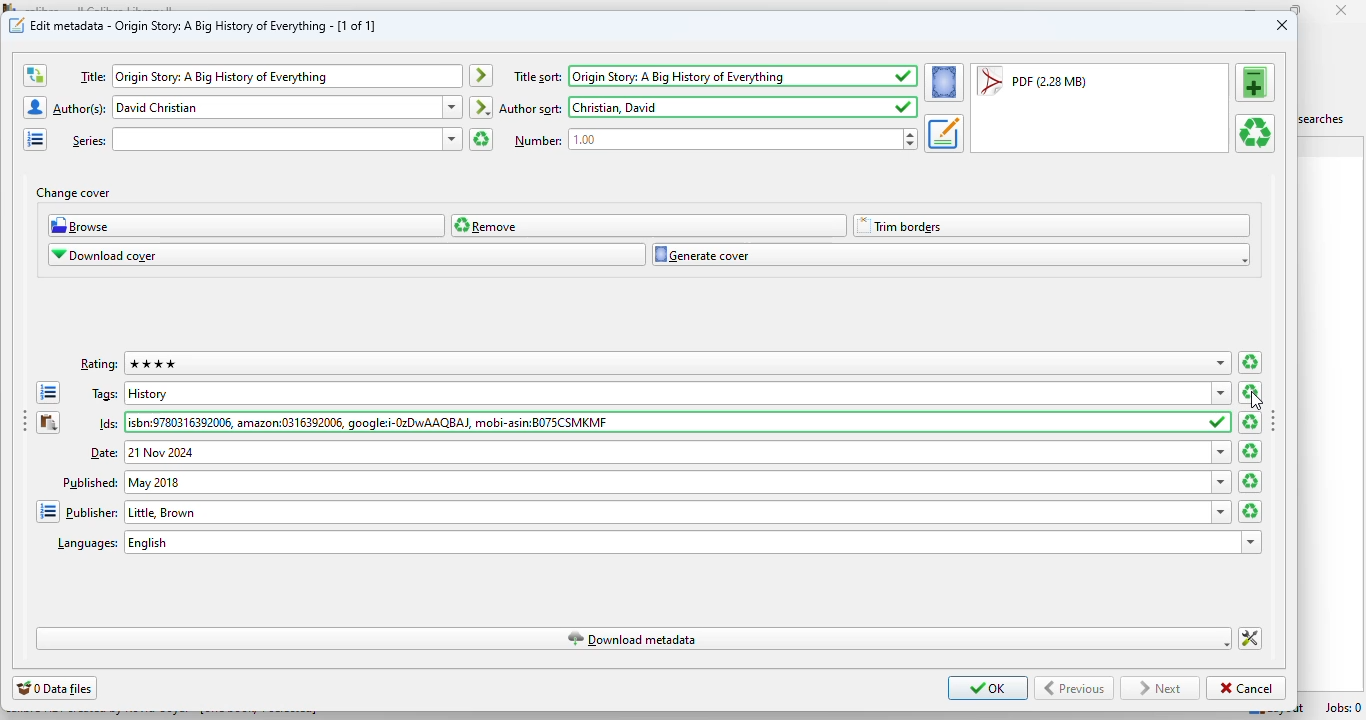 The height and width of the screenshot is (720, 1366). I want to click on set the cover of the book from the selected format, so click(945, 82).